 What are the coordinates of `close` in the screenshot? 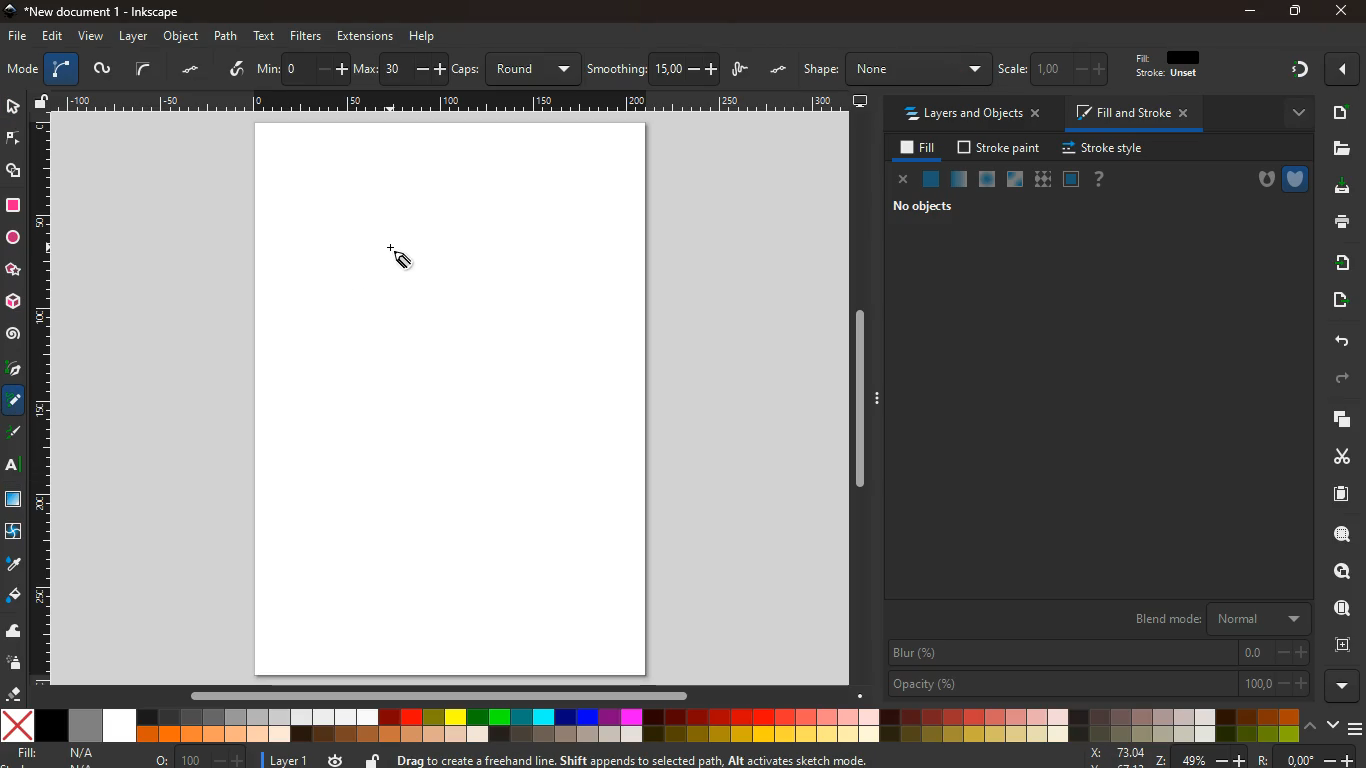 It's located at (904, 181).